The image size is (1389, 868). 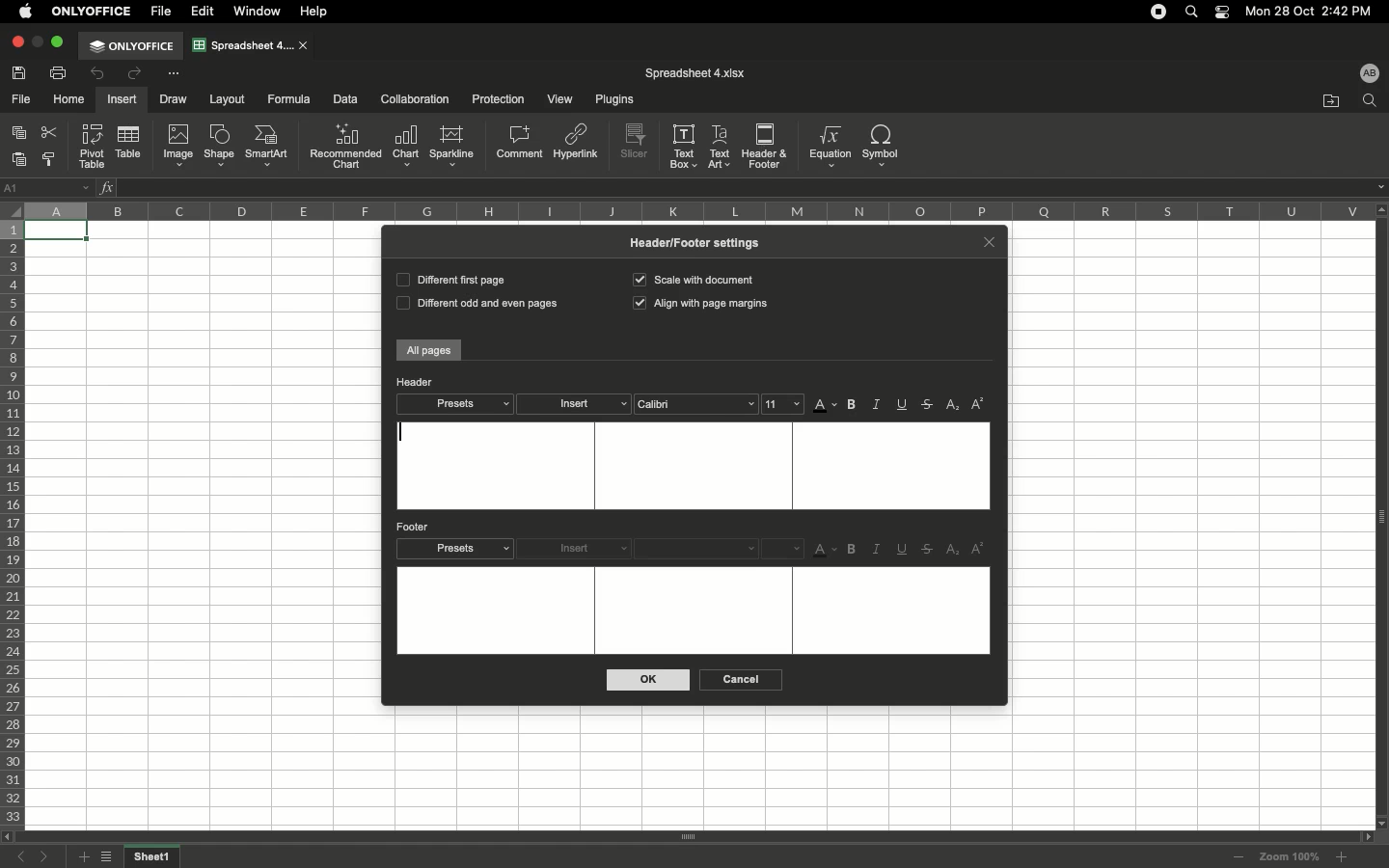 What do you see at coordinates (1369, 72) in the screenshot?
I see `User` at bounding box center [1369, 72].